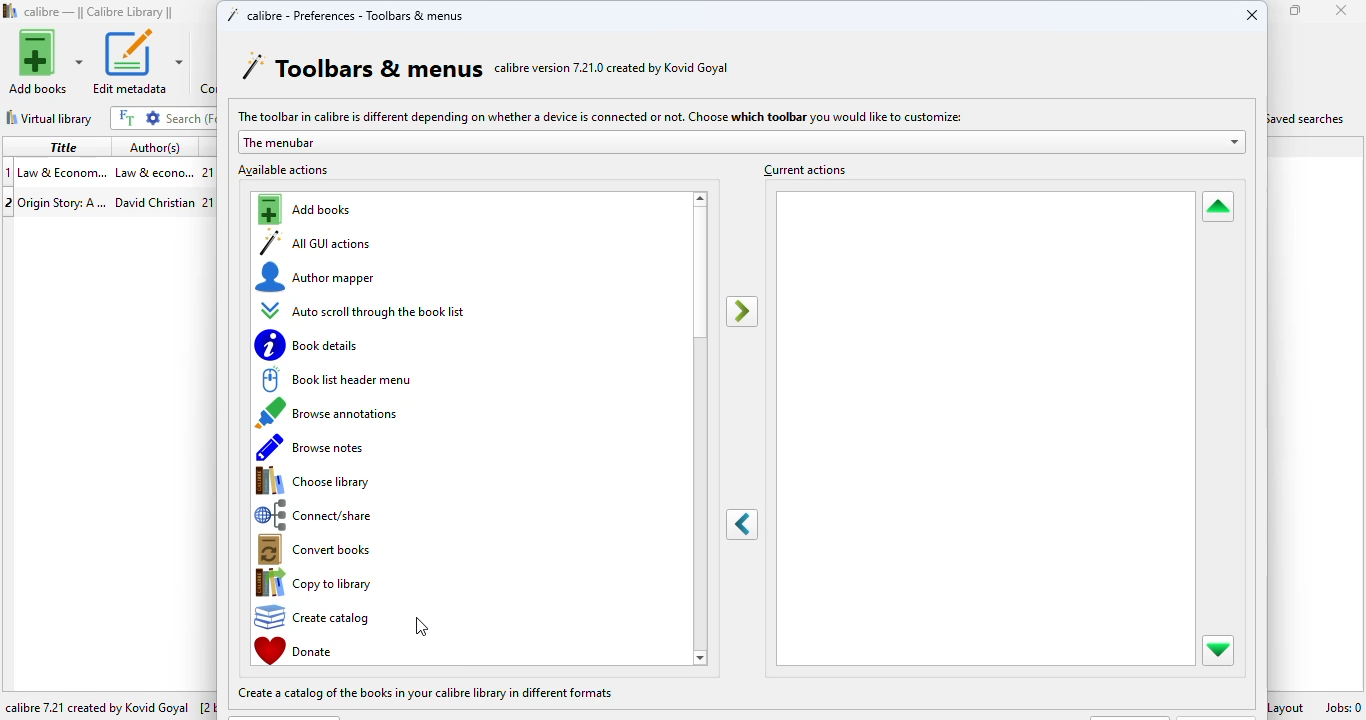 The width and height of the screenshot is (1366, 720). What do you see at coordinates (1289, 706) in the screenshot?
I see `layout` at bounding box center [1289, 706].